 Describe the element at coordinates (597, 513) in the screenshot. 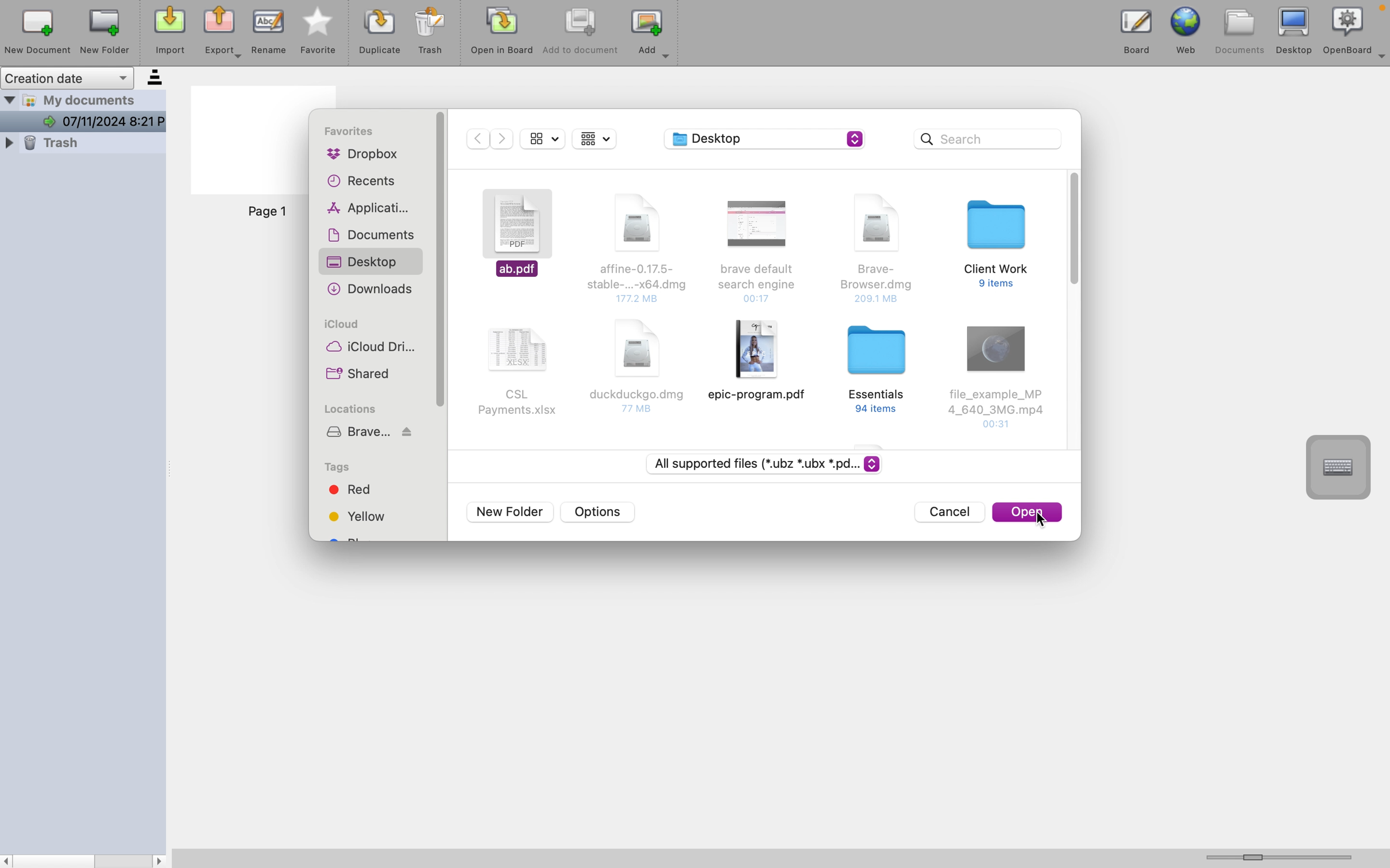

I see `options` at that location.